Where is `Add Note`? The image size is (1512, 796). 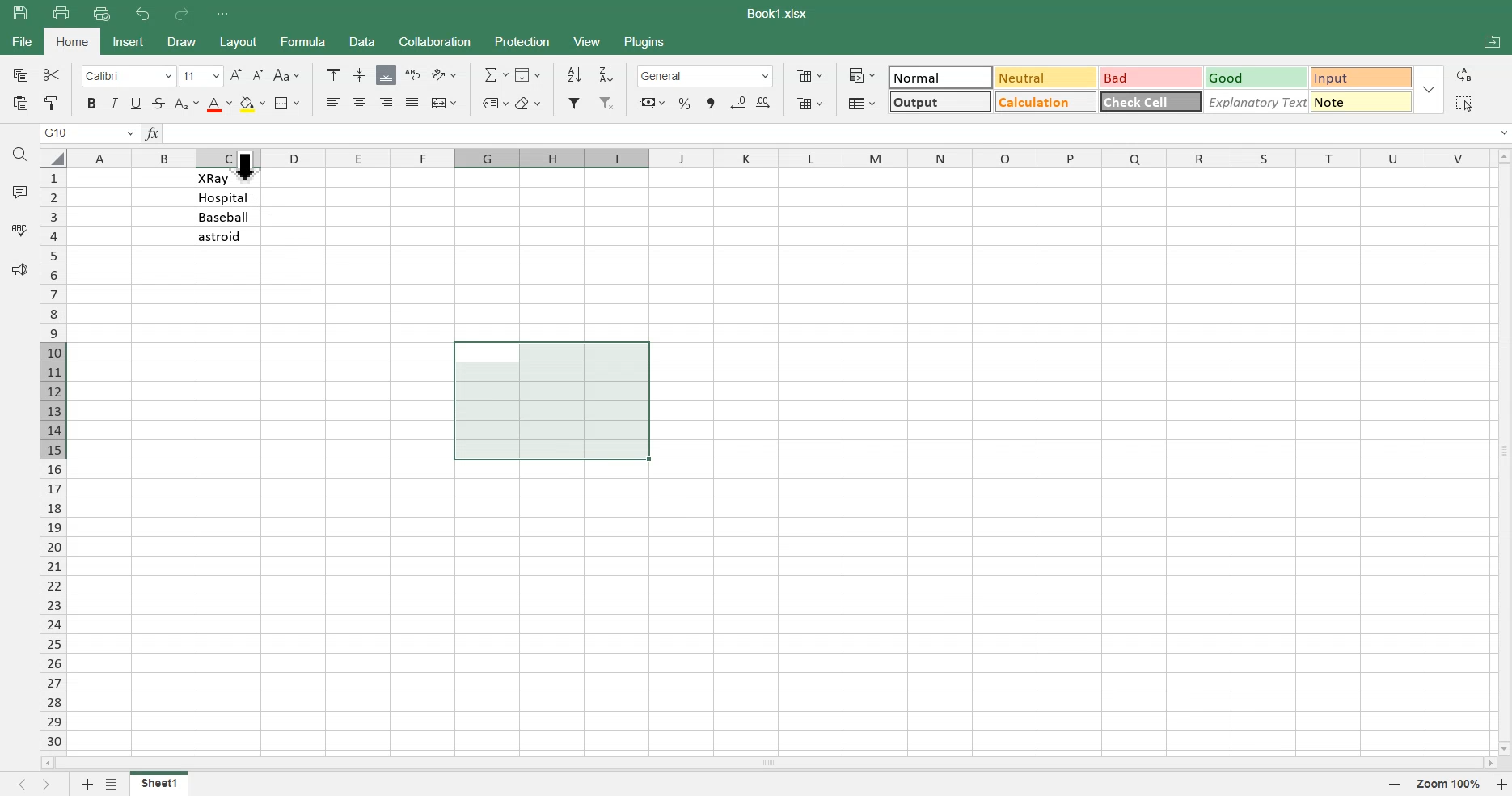 Add Note is located at coordinates (18, 191).